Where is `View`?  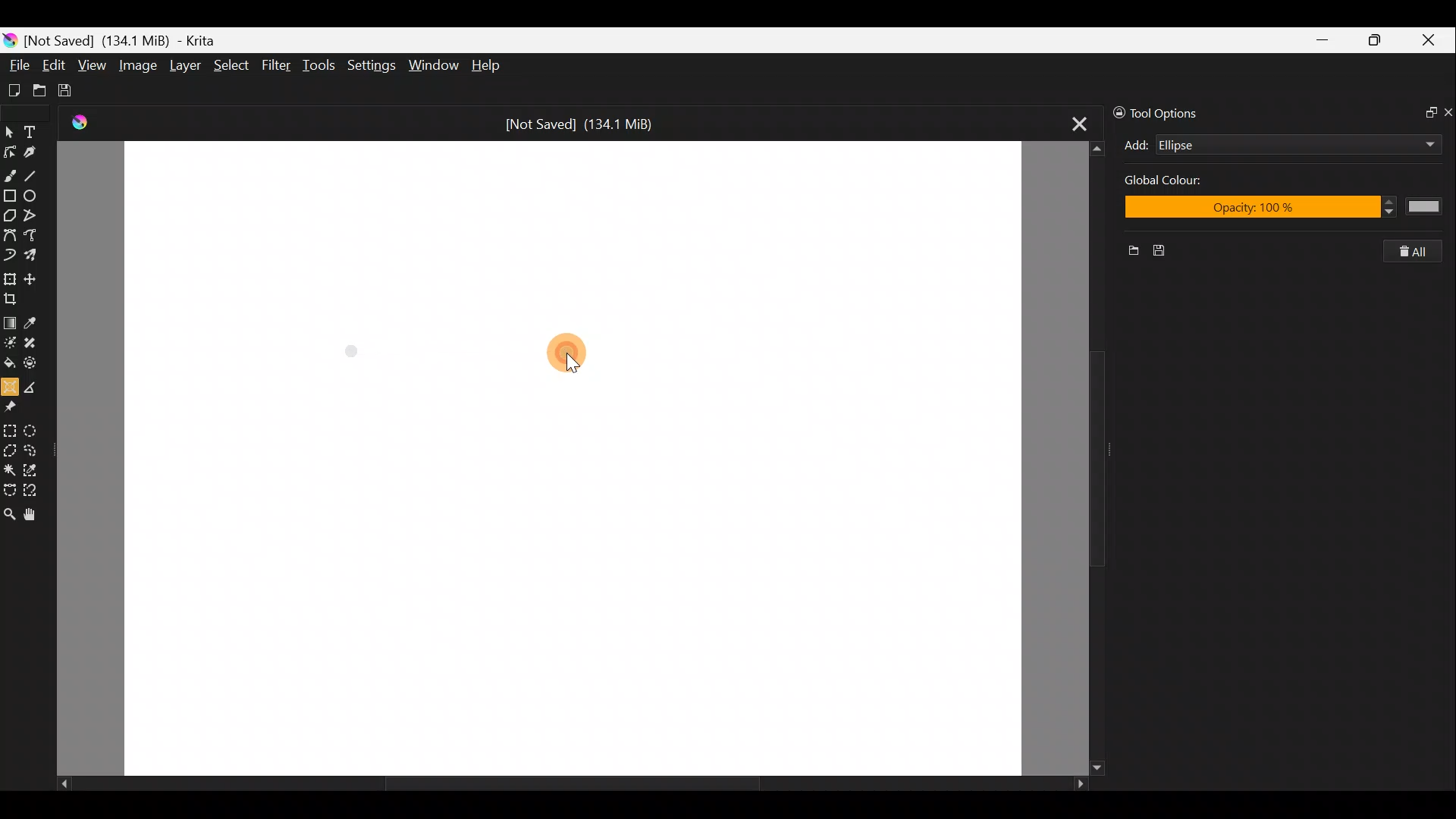 View is located at coordinates (93, 66).